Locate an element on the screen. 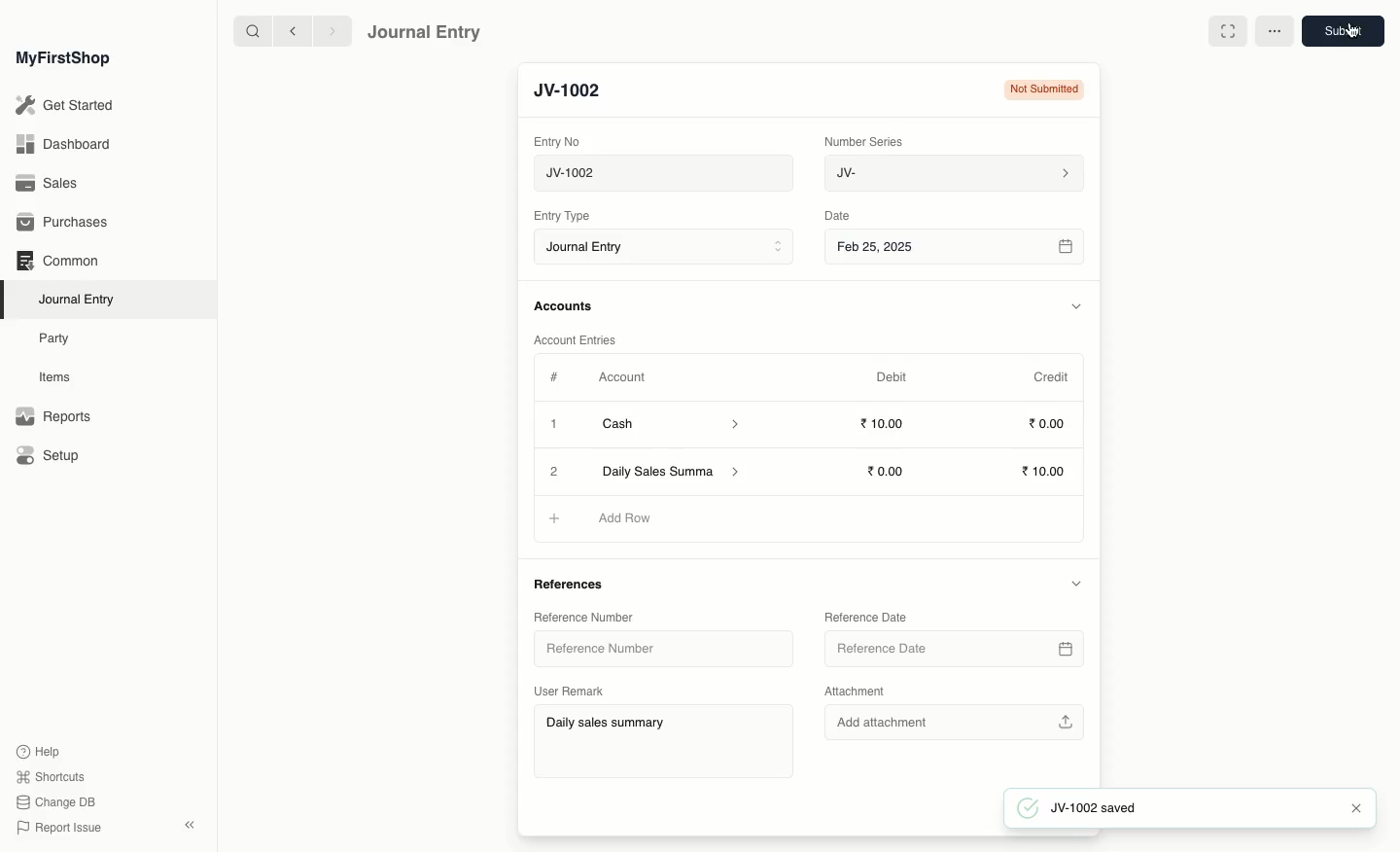 The height and width of the screenshot is (852, 1400). Feb 25, 2025 8 is located at coordinates (956, 246).